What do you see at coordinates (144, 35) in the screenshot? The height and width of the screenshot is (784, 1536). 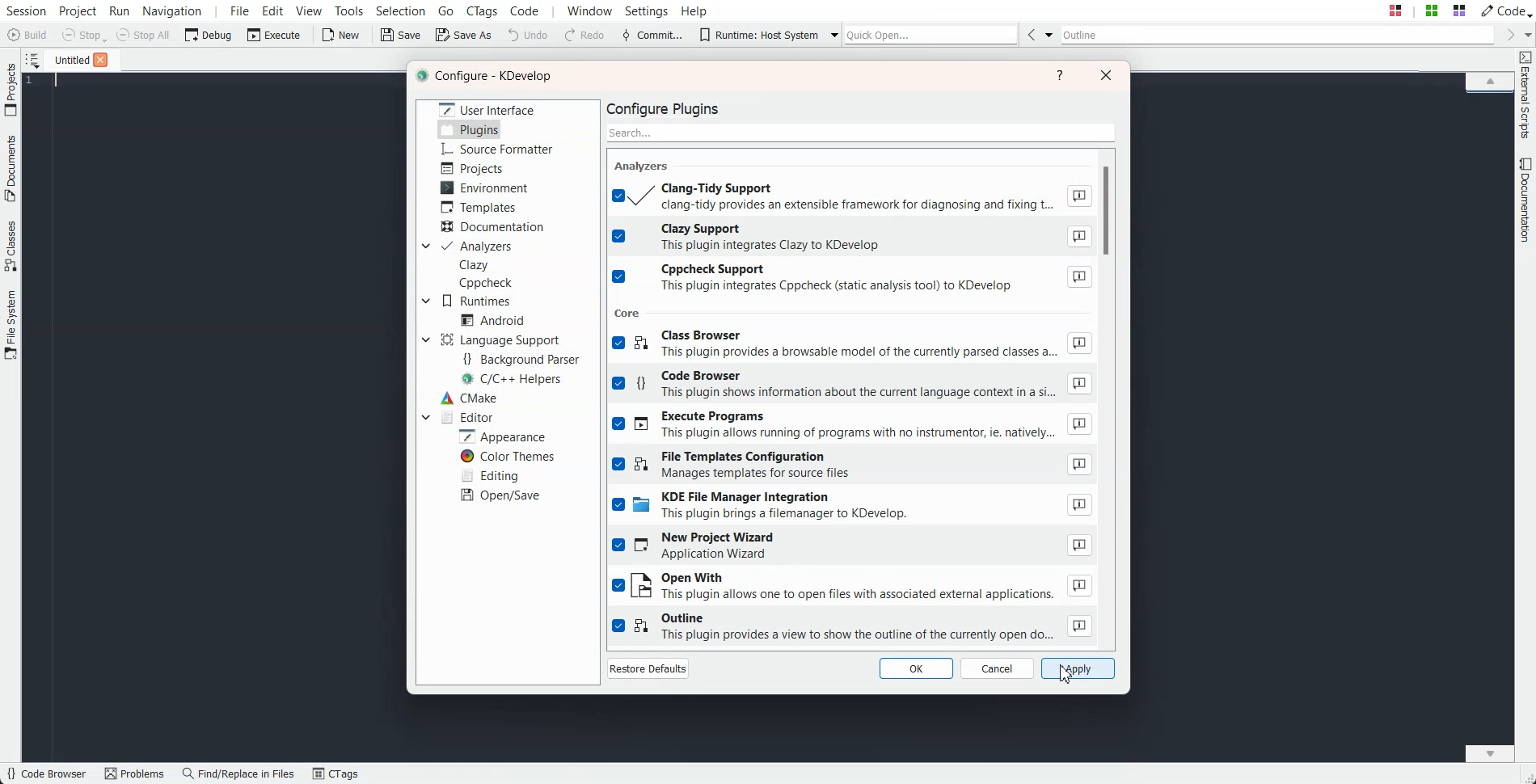 I see `Stop All` at bounding box center [144, 35].